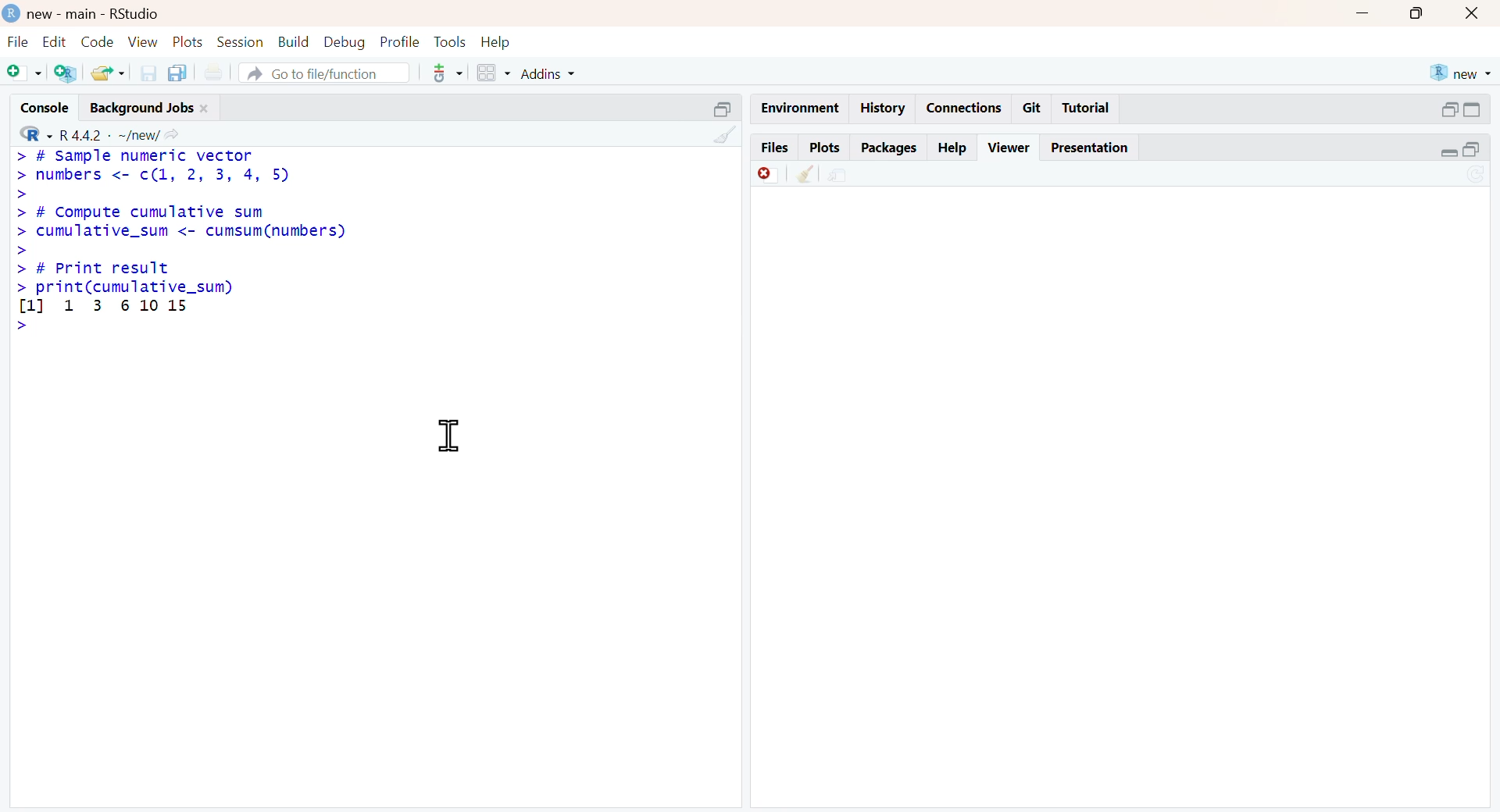 The height and width of the screenshot is (812, 1500). Describe the element at coordinates (1477, 175) in the screenshot. I see `sync` at that location.